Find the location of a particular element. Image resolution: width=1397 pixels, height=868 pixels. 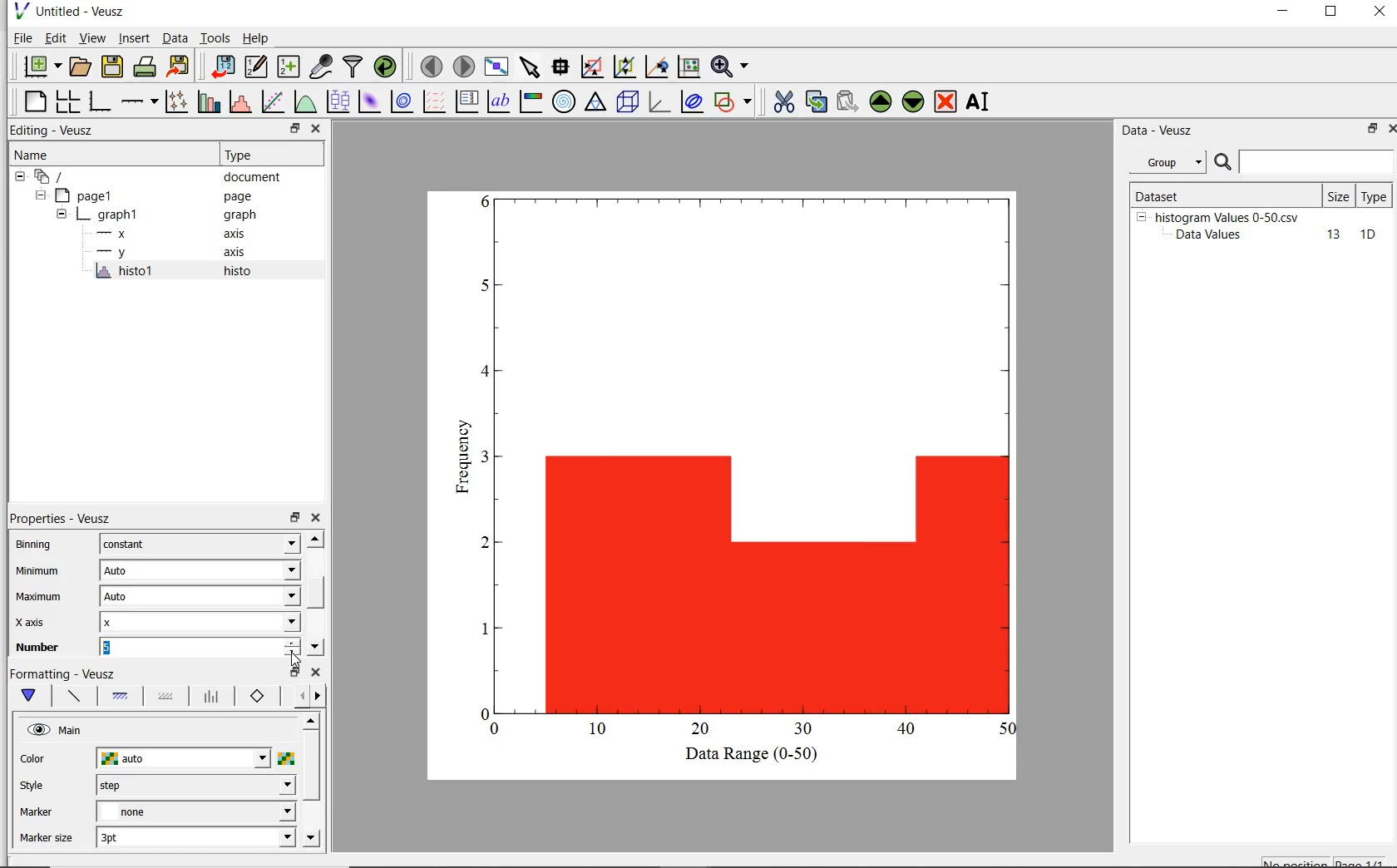

tools  is located at coordinates (216, 37).